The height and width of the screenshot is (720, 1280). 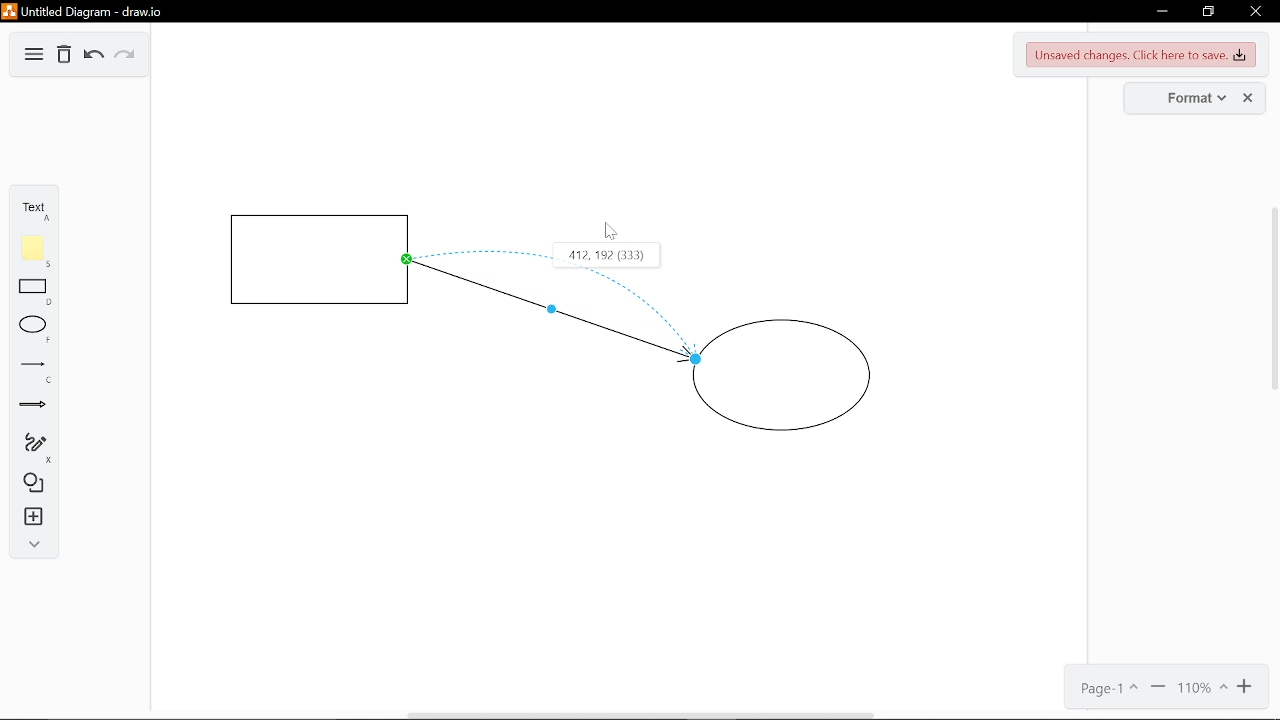 I want to click on Zoom out, so click(x=1158, y=689).